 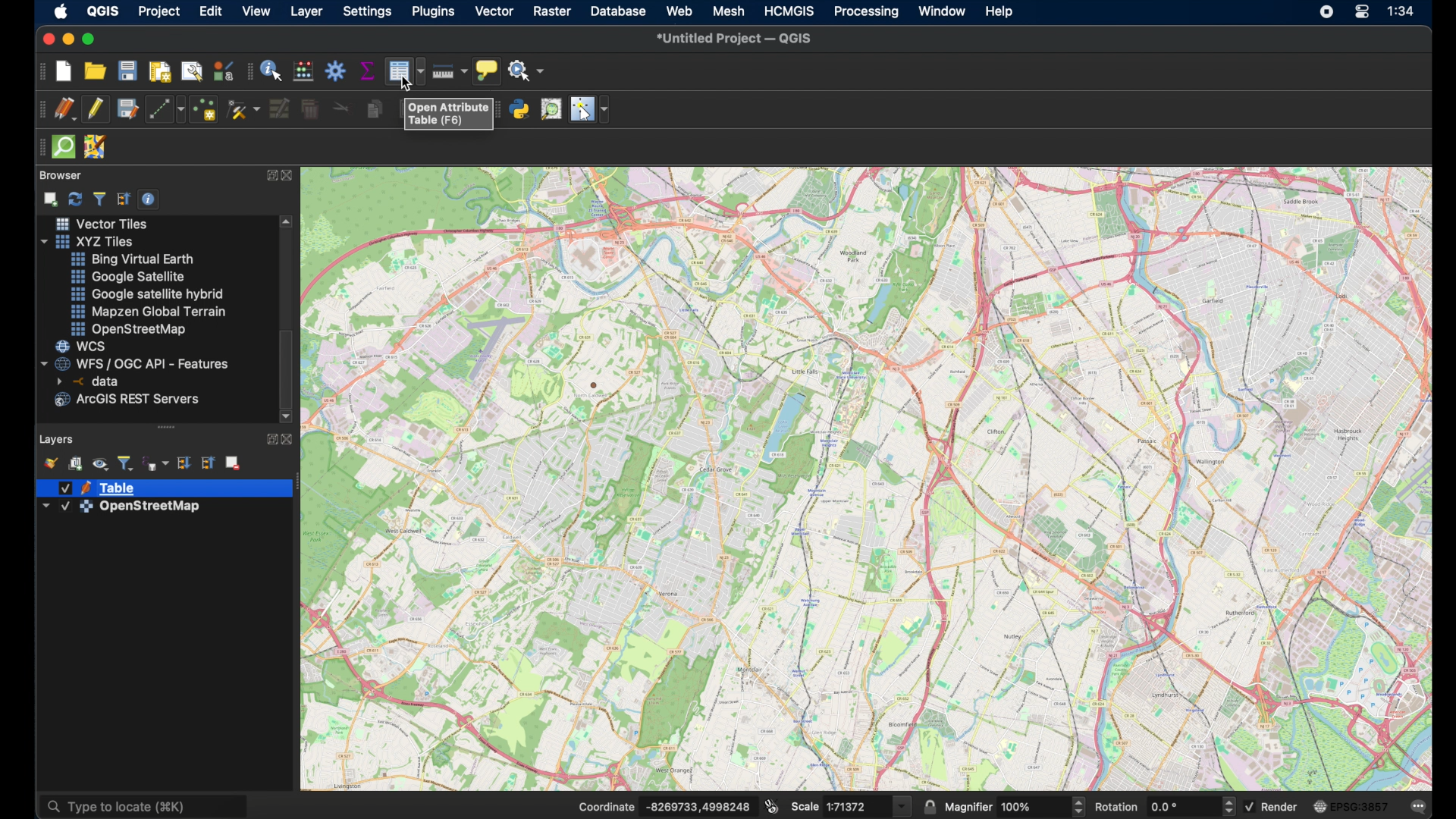 What do you see at coordinates (39, 72) in the screenshot?
I see `project toolbar` at bounding box center [39, 72].